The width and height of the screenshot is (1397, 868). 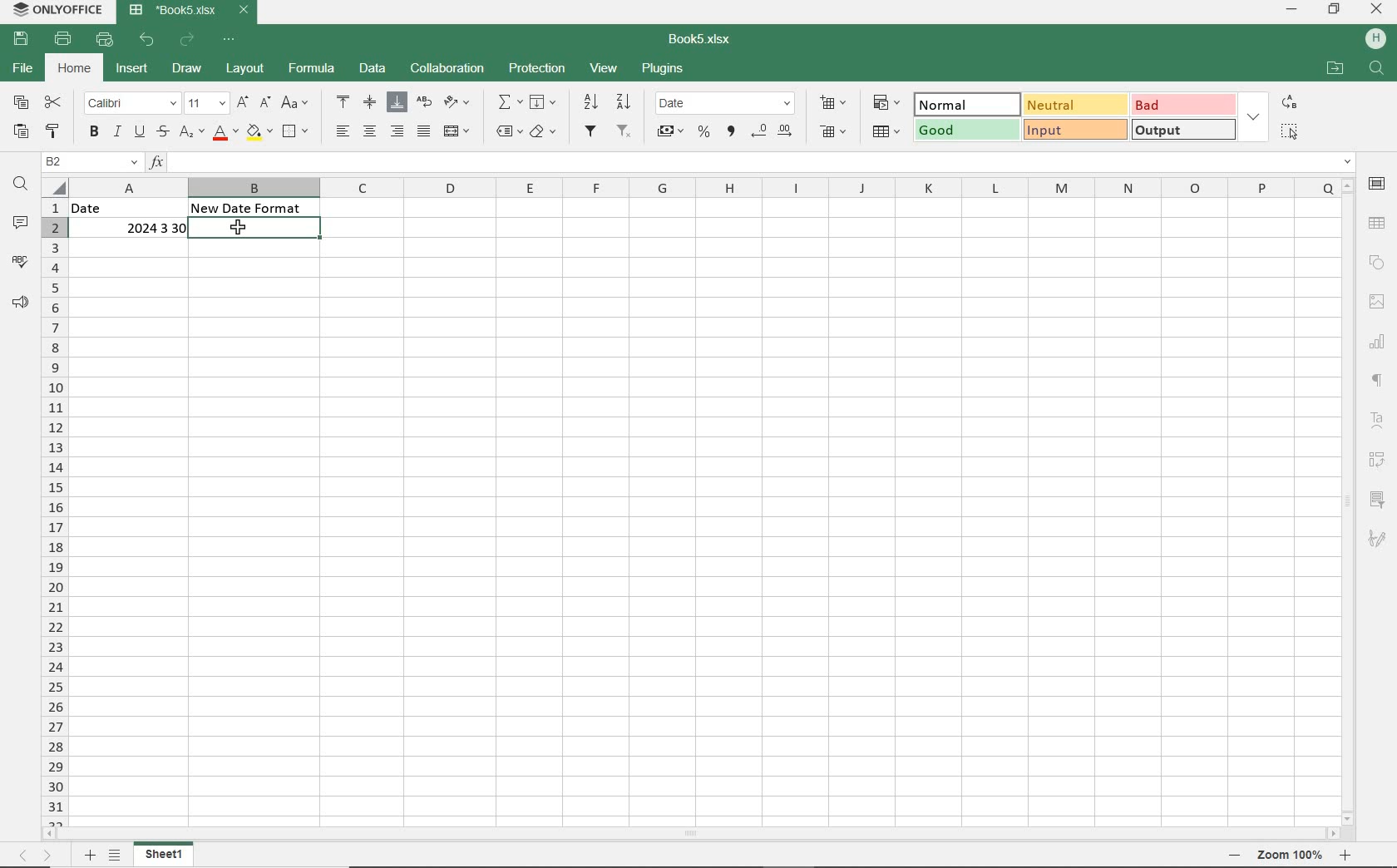 I want to click on EXPAND, so click(x=1254, y=119).